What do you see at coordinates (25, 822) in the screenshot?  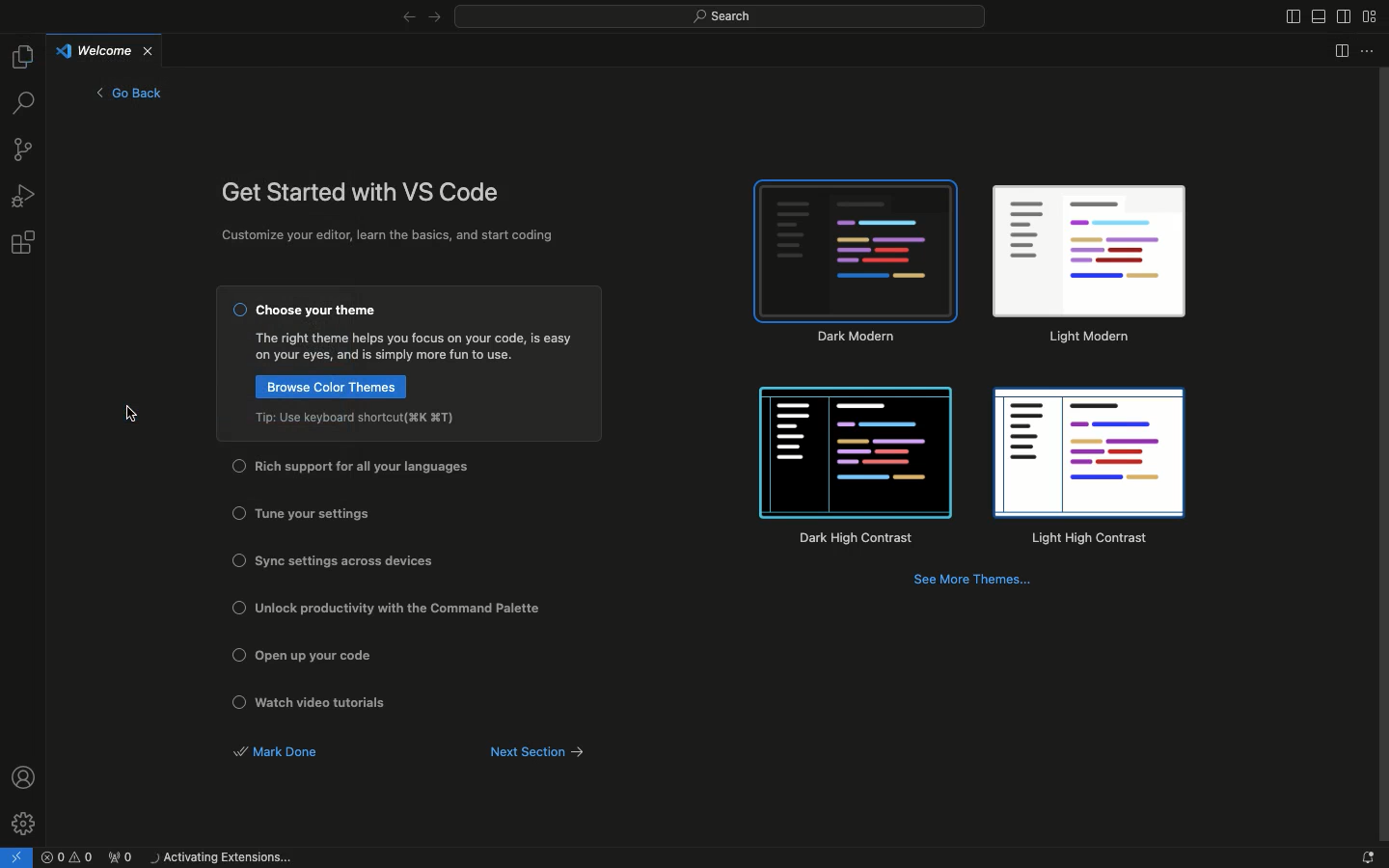 I see `Manage` at bounding box center [25, 822].